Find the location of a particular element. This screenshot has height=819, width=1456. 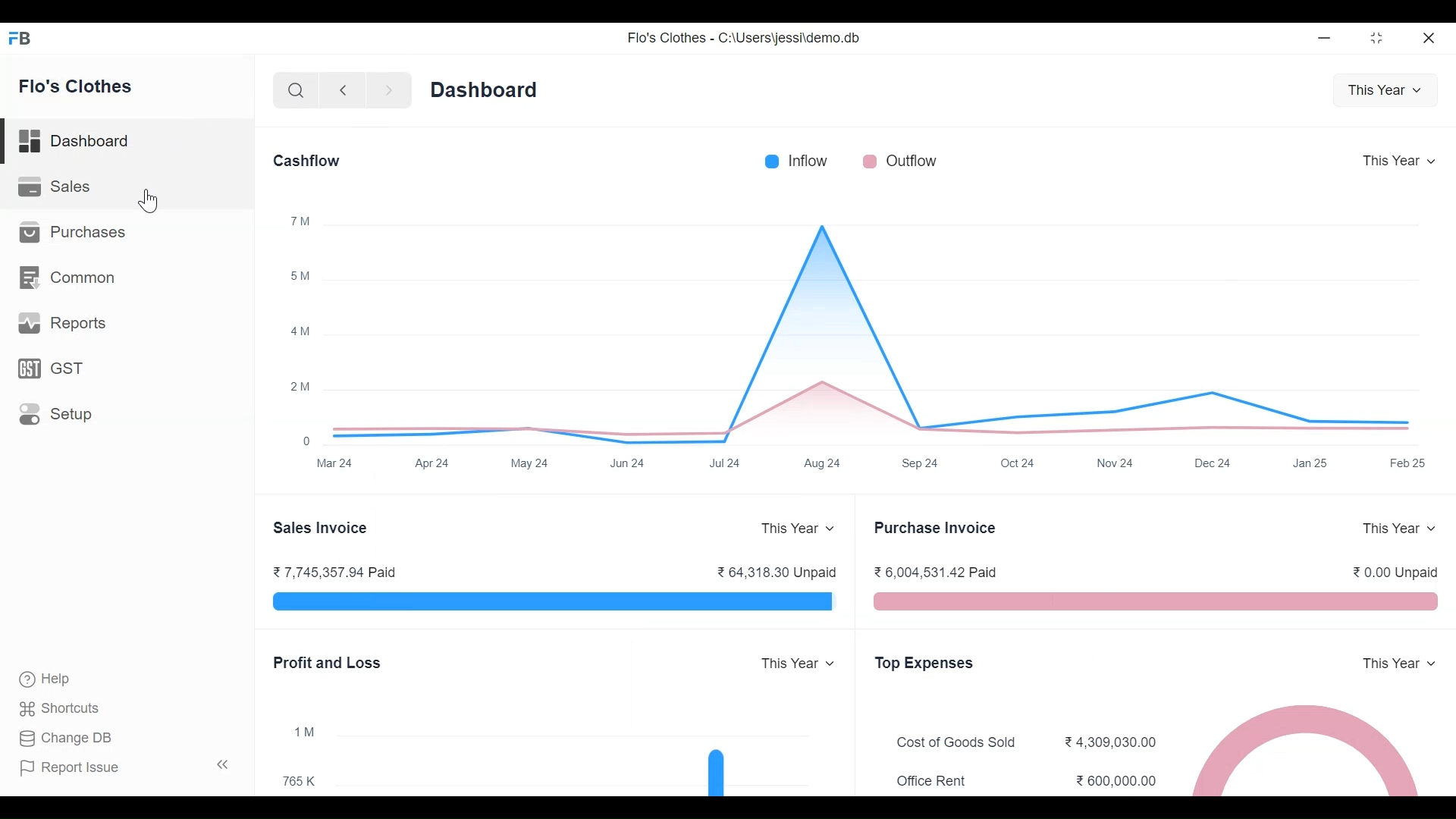

Dashboard is located at coordinates (125, 142).